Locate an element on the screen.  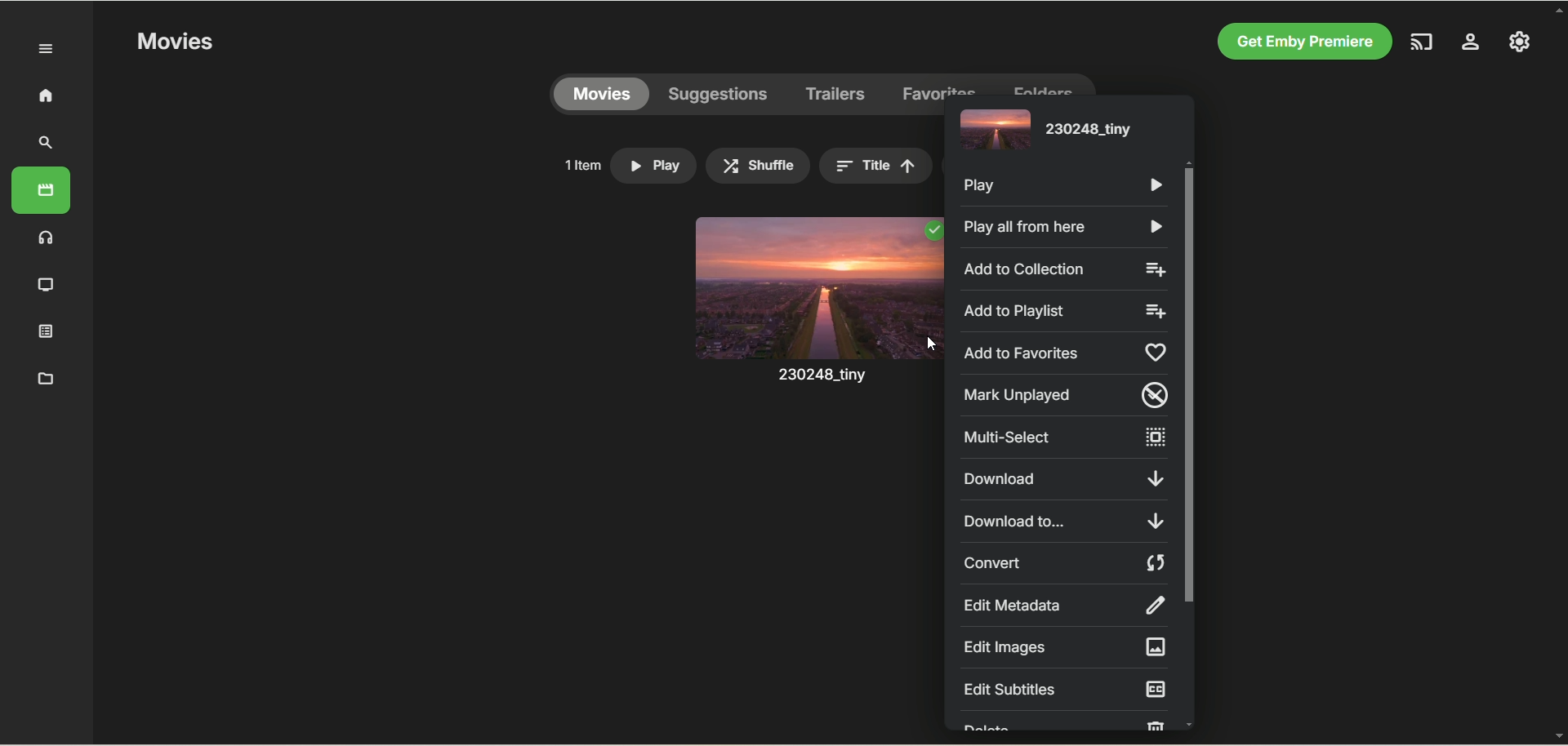
movies is located at coordinates (601, 95).